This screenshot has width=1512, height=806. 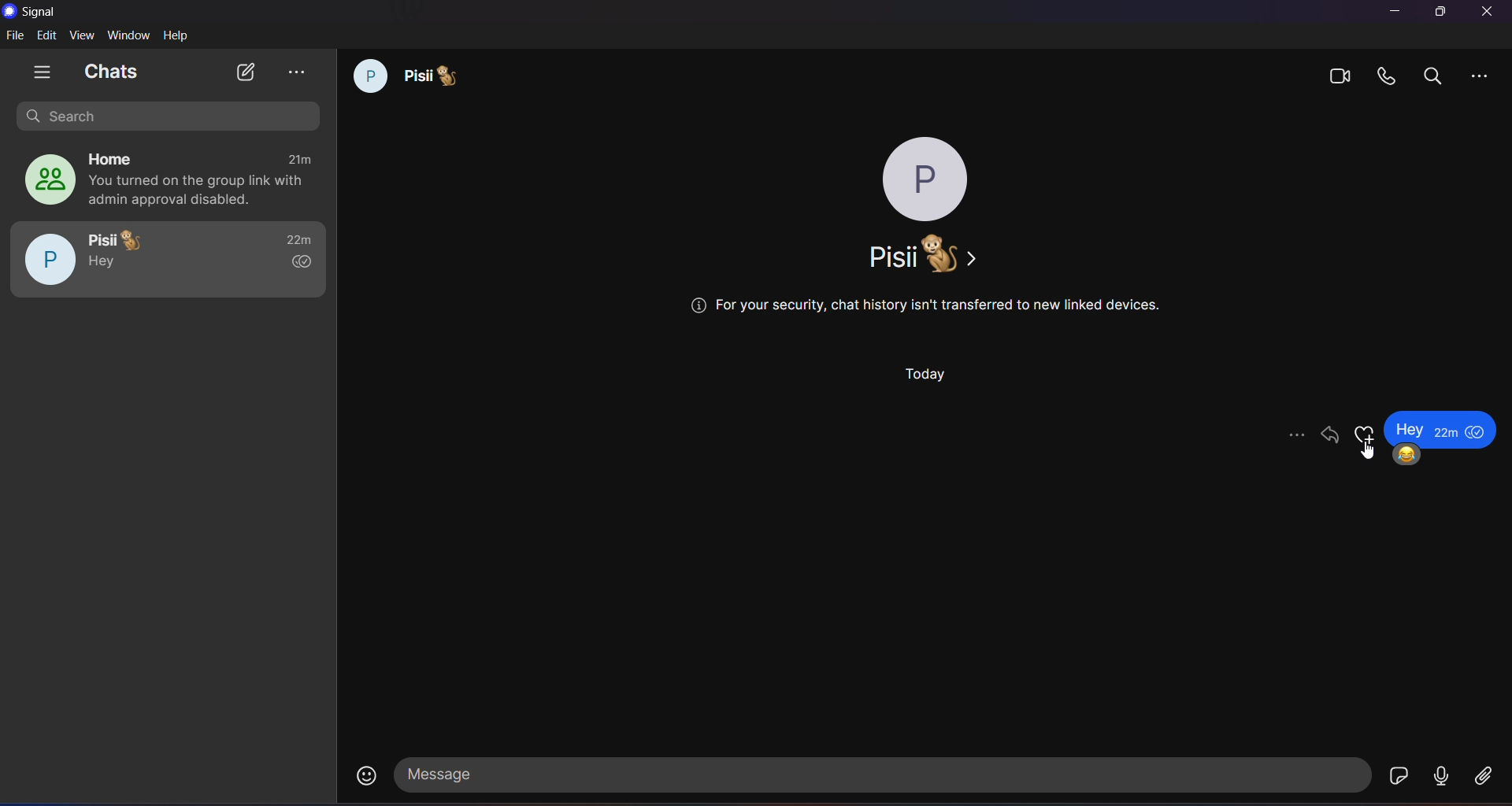 I want to click on help, so click(x=176, y=35).